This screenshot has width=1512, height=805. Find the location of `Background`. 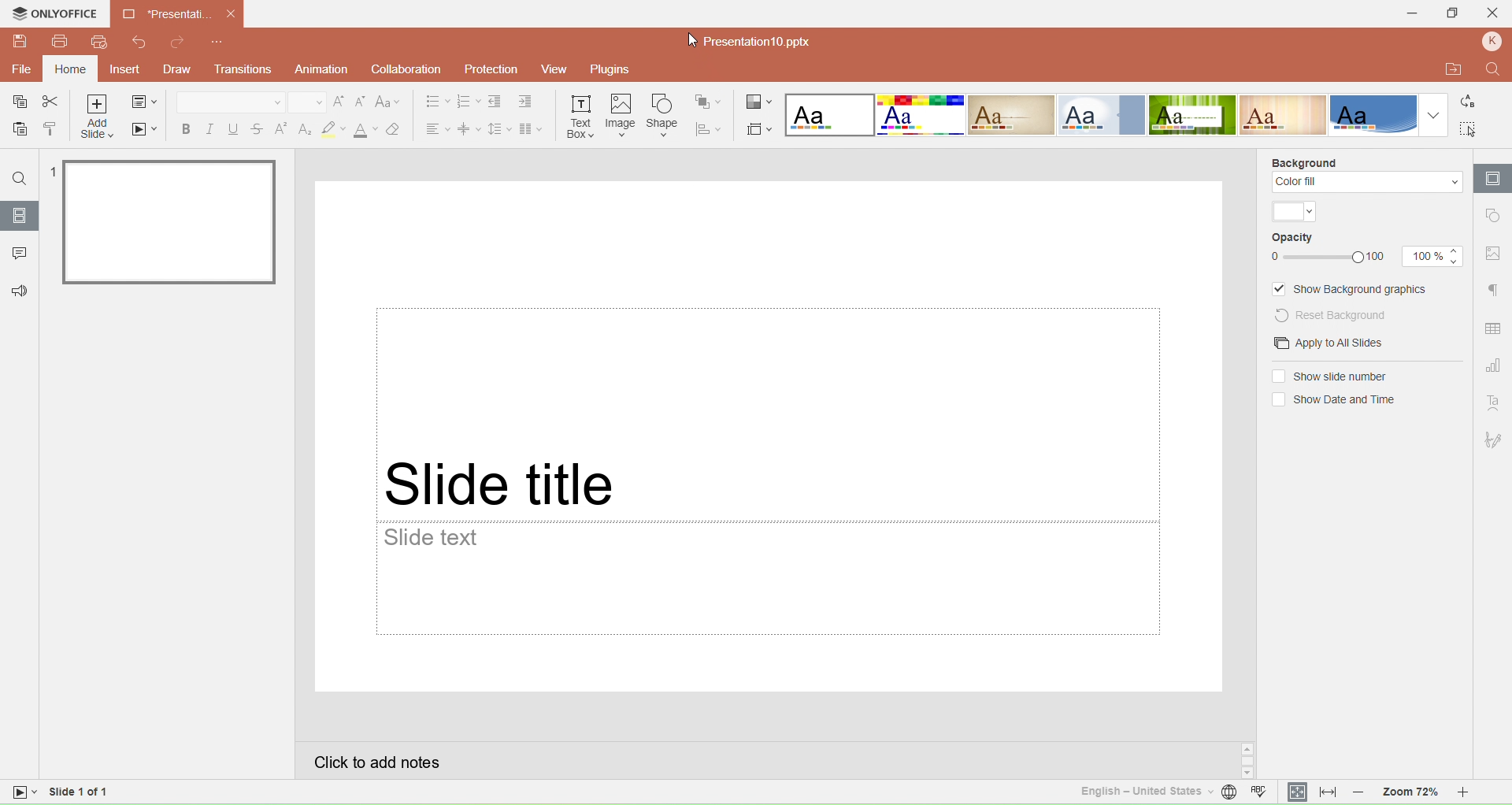

Background is located at coordinates (1304, 161).